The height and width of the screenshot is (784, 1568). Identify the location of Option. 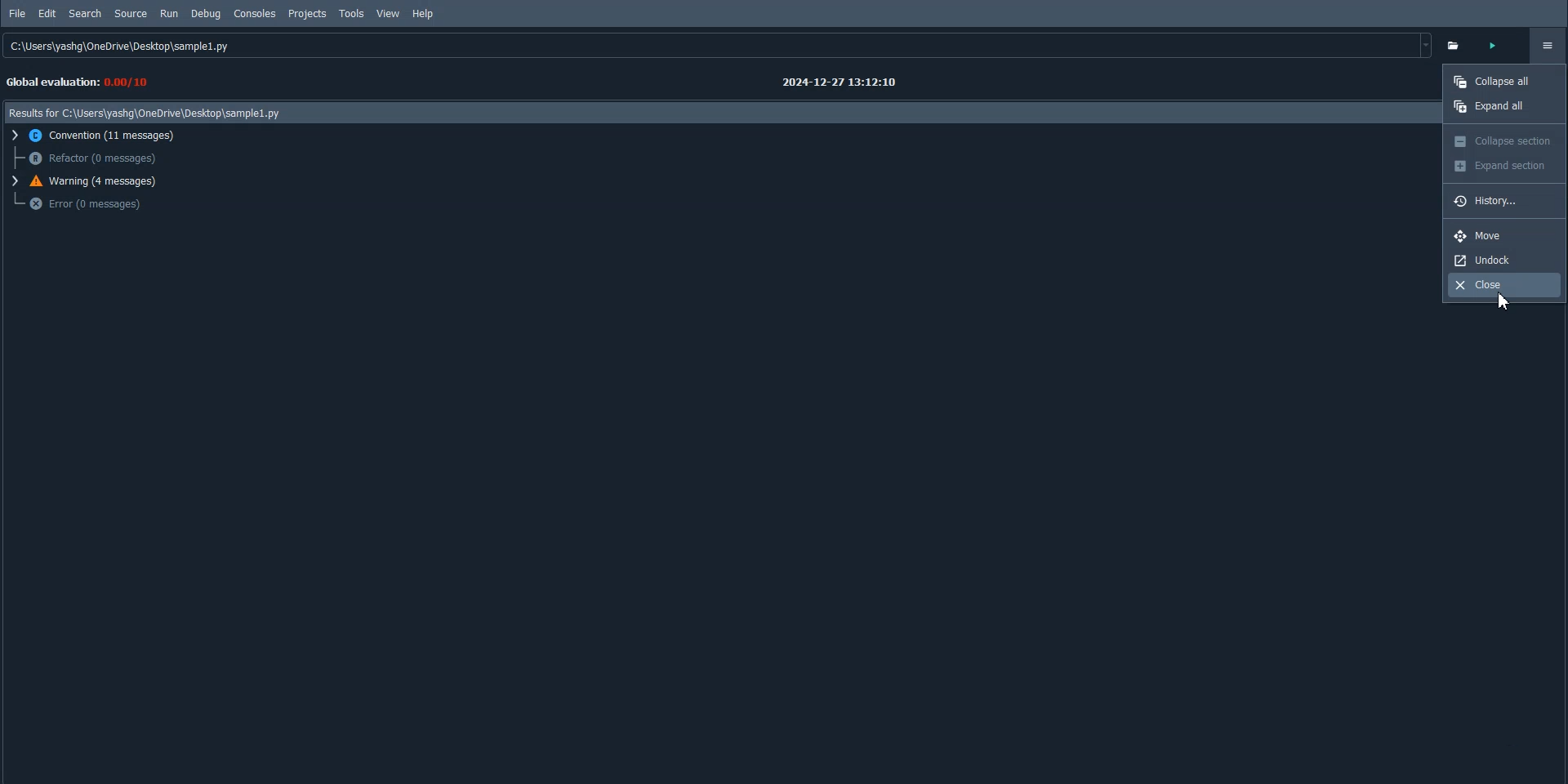
(1547, 46).